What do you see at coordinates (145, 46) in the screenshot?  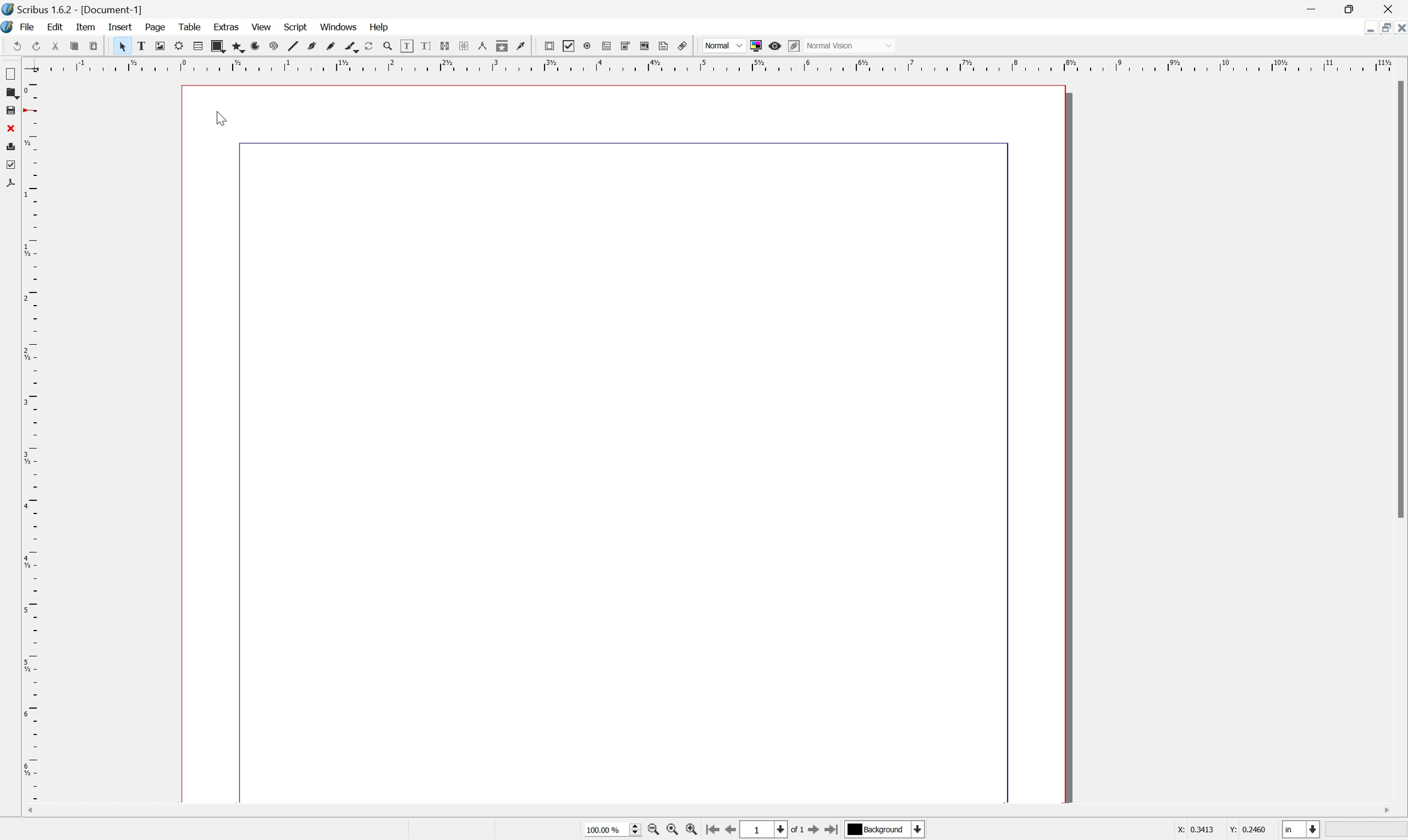 I see `save as pdf` at bounding box center [145, 46].